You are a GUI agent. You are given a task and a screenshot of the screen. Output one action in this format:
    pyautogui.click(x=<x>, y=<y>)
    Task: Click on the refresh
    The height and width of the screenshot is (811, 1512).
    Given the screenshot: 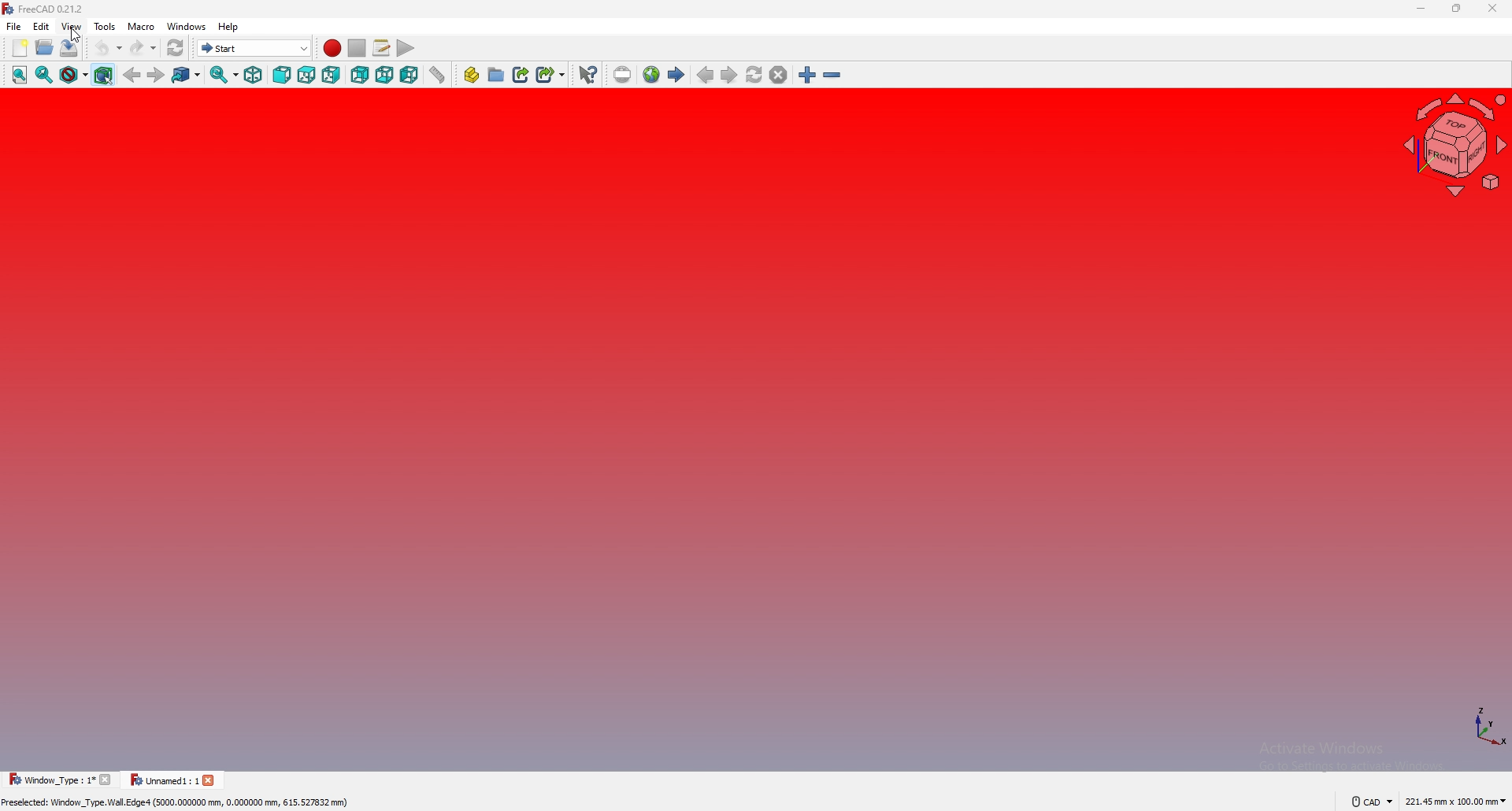 What is the action you would take?
    pyautogui.click(x=176, y=47)
    